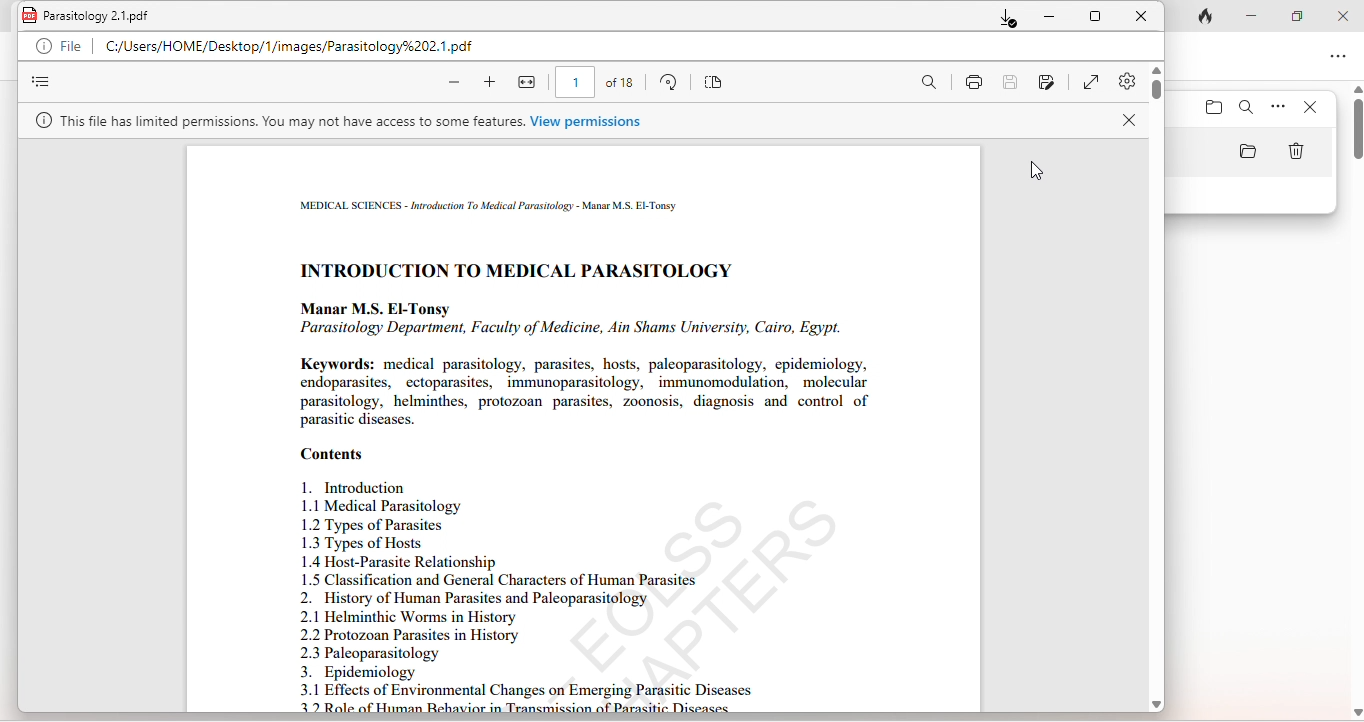  What do you see at coordinates (334, 47) in the screenshot?
I see `C/Users/Home/Desktop/1/Images/Parasitology%202.1.pdf` at bounding box center [334, 47].